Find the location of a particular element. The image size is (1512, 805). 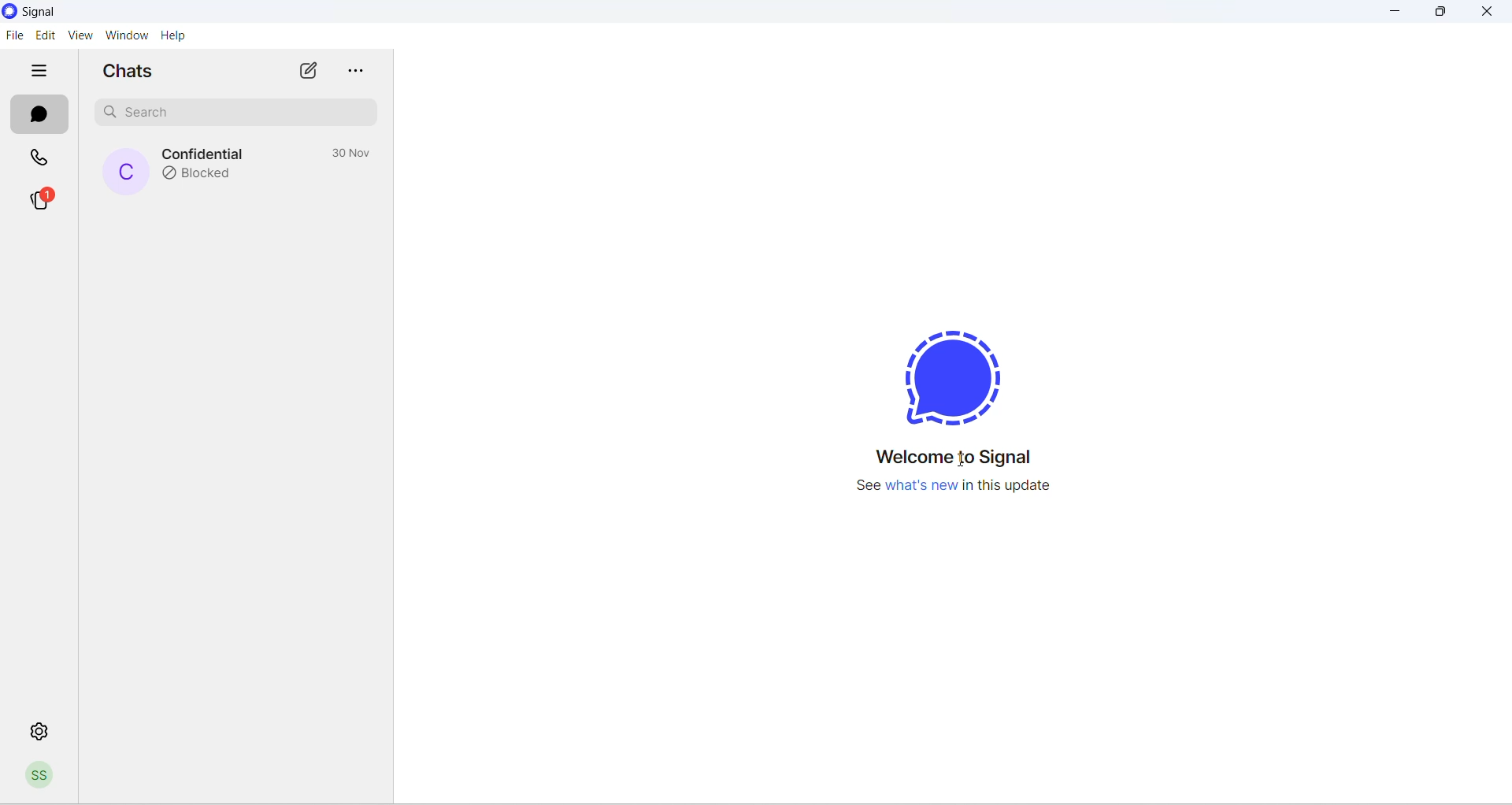

settings is located at coordinates (43, 736).